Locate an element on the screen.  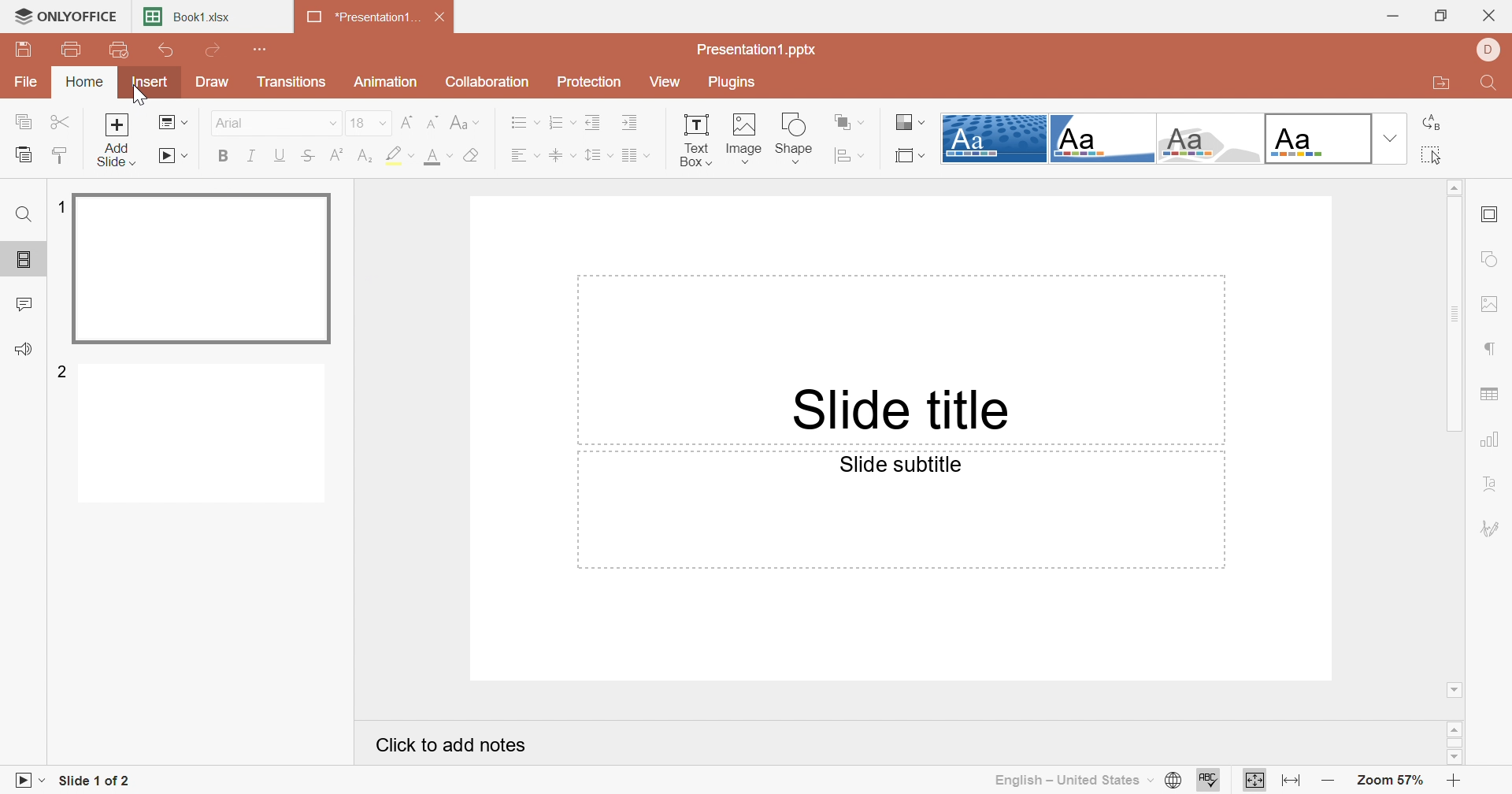
Superscript is located at coordinates (338, 154).